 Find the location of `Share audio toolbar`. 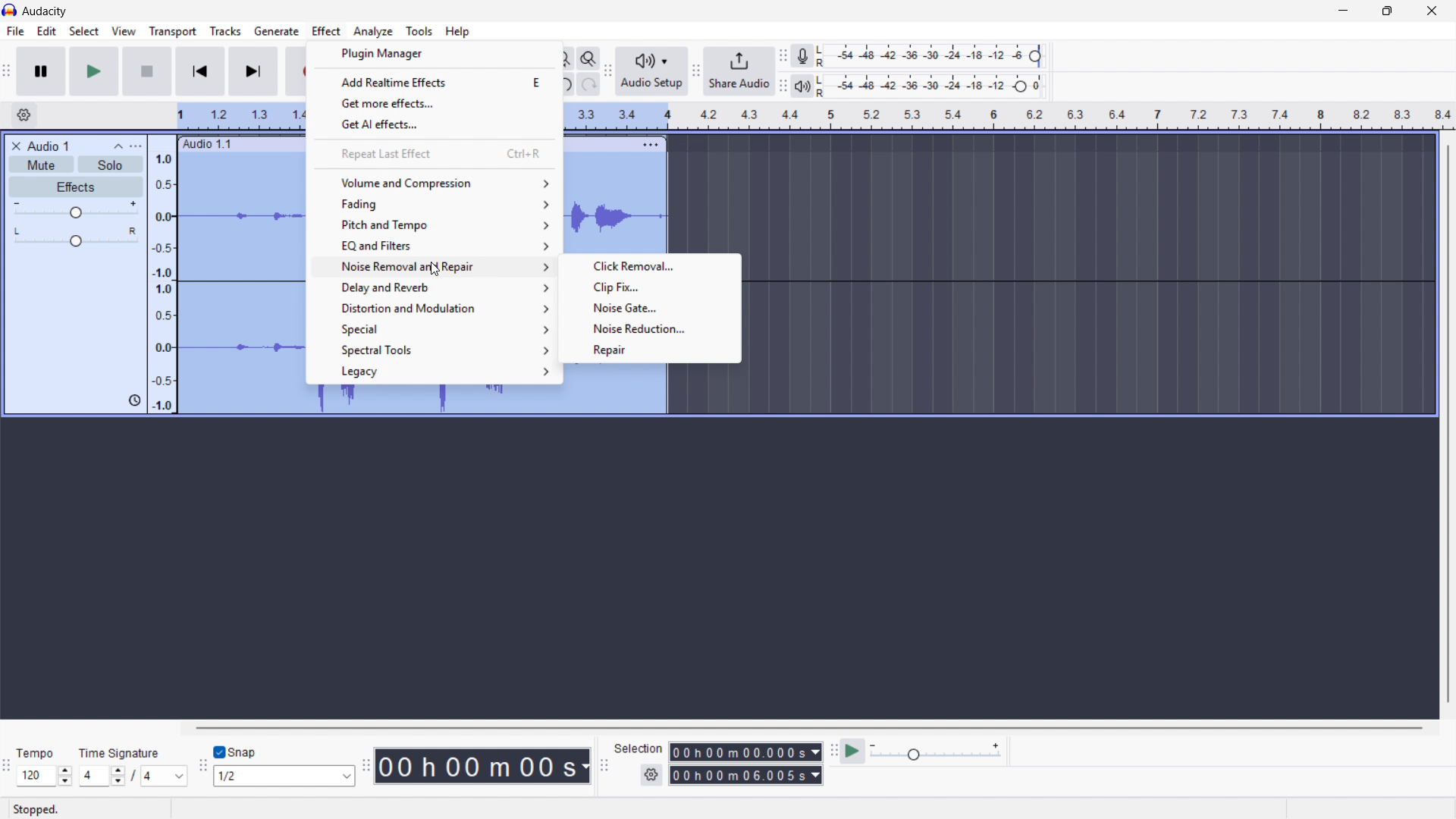

Share audio toolbar is located at coordinates (696, 71).